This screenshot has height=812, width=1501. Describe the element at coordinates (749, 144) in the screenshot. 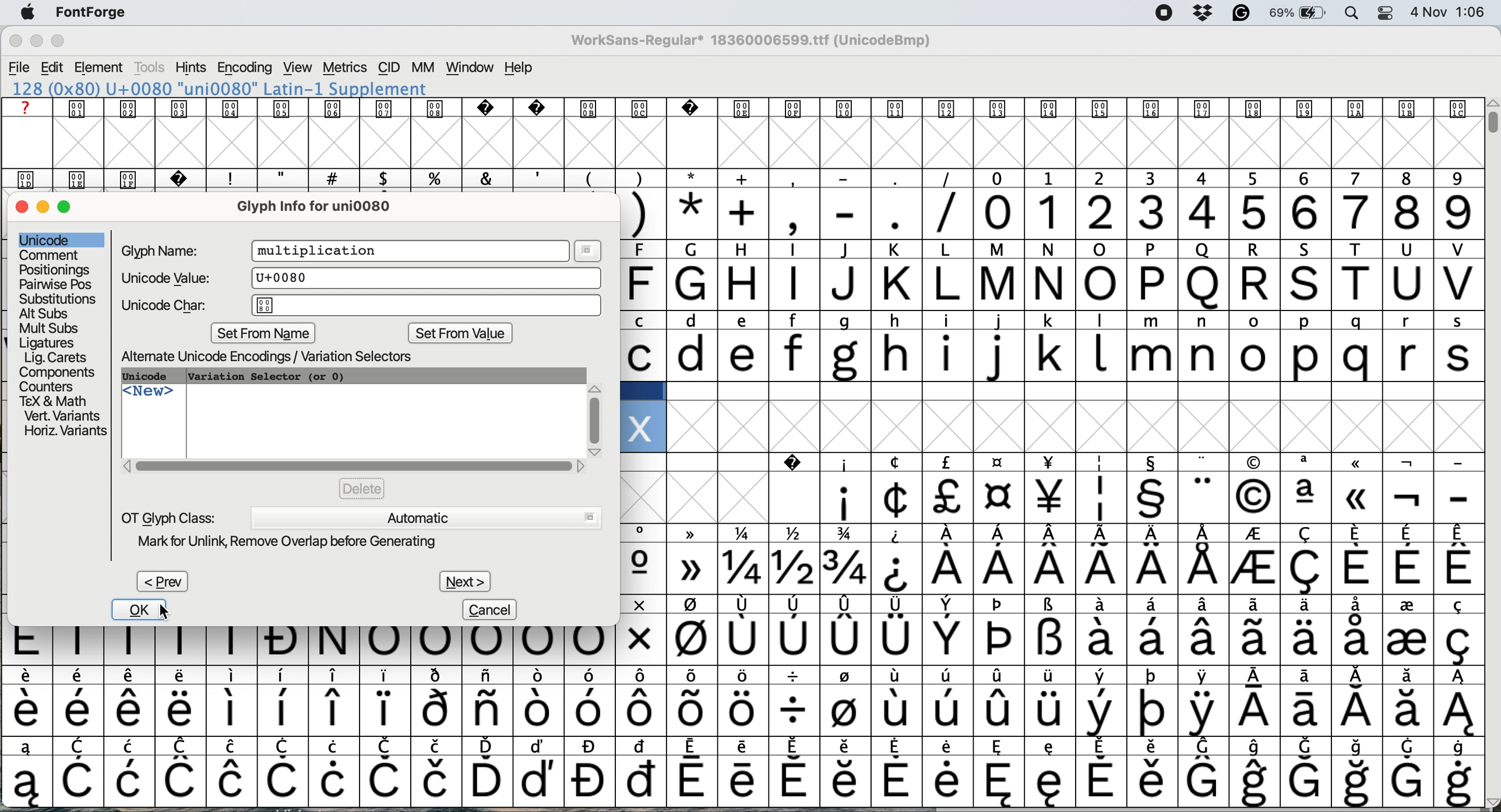

I see `glyph grid` at that location.